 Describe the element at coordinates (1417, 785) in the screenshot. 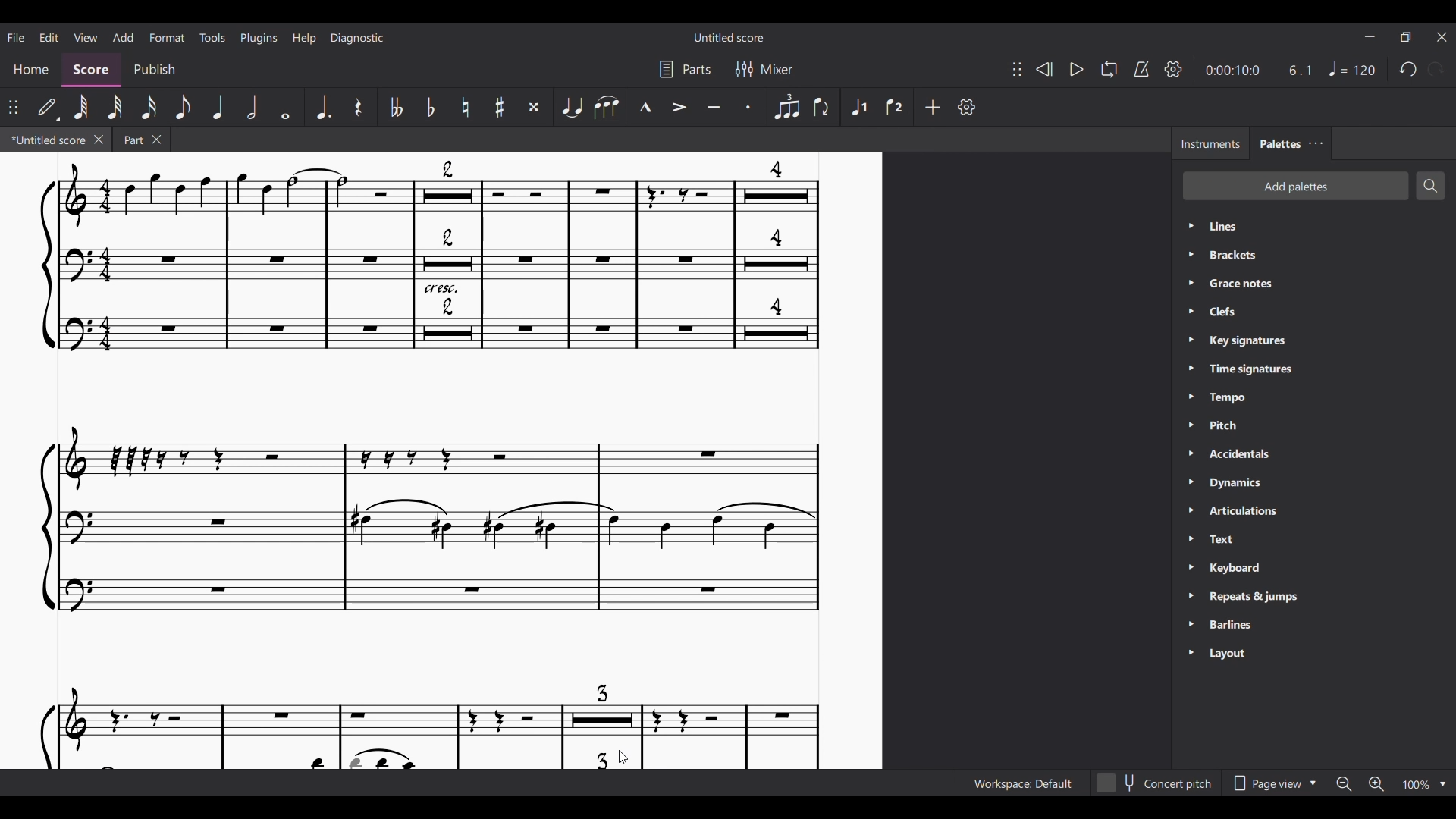

I see `Current zoom factor` at that location.